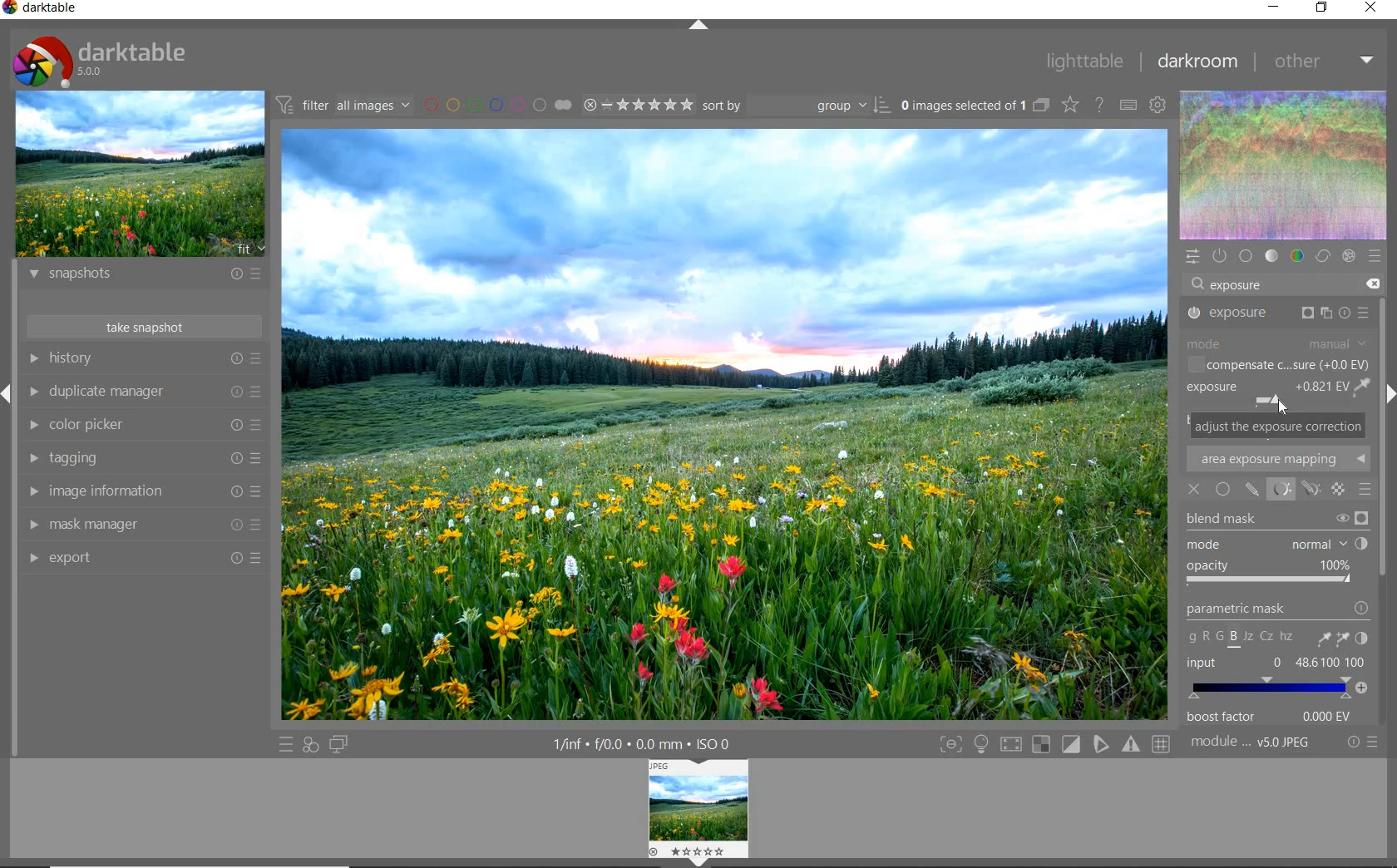 This screenshot has width=1397, height=868. Describe the element at coordinates (142, 426) in the screenshot. I see `color picker` at that location.